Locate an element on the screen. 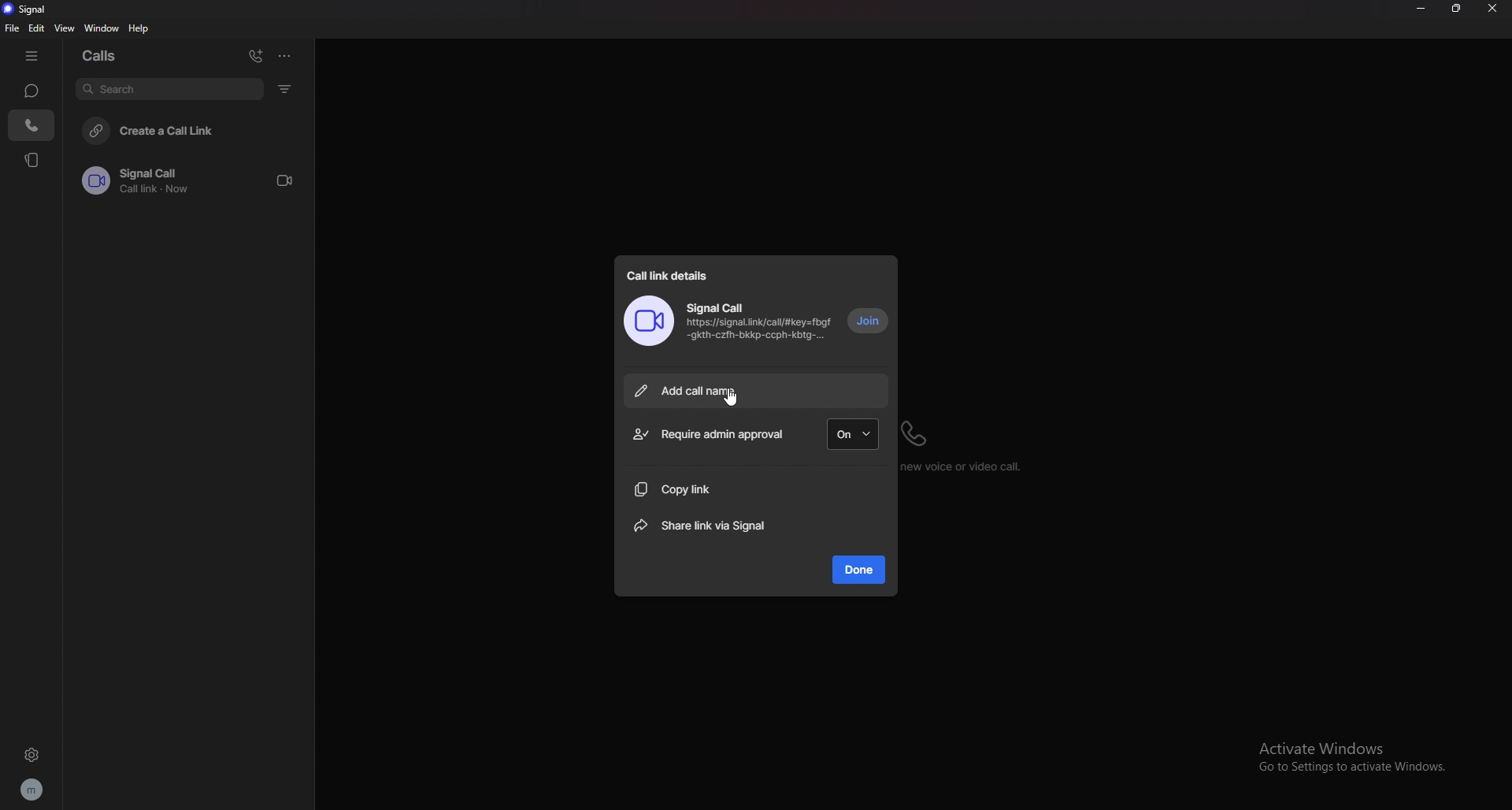 This screenshot has height=810, width=1512. signal call is located at coordinates (715, 307).